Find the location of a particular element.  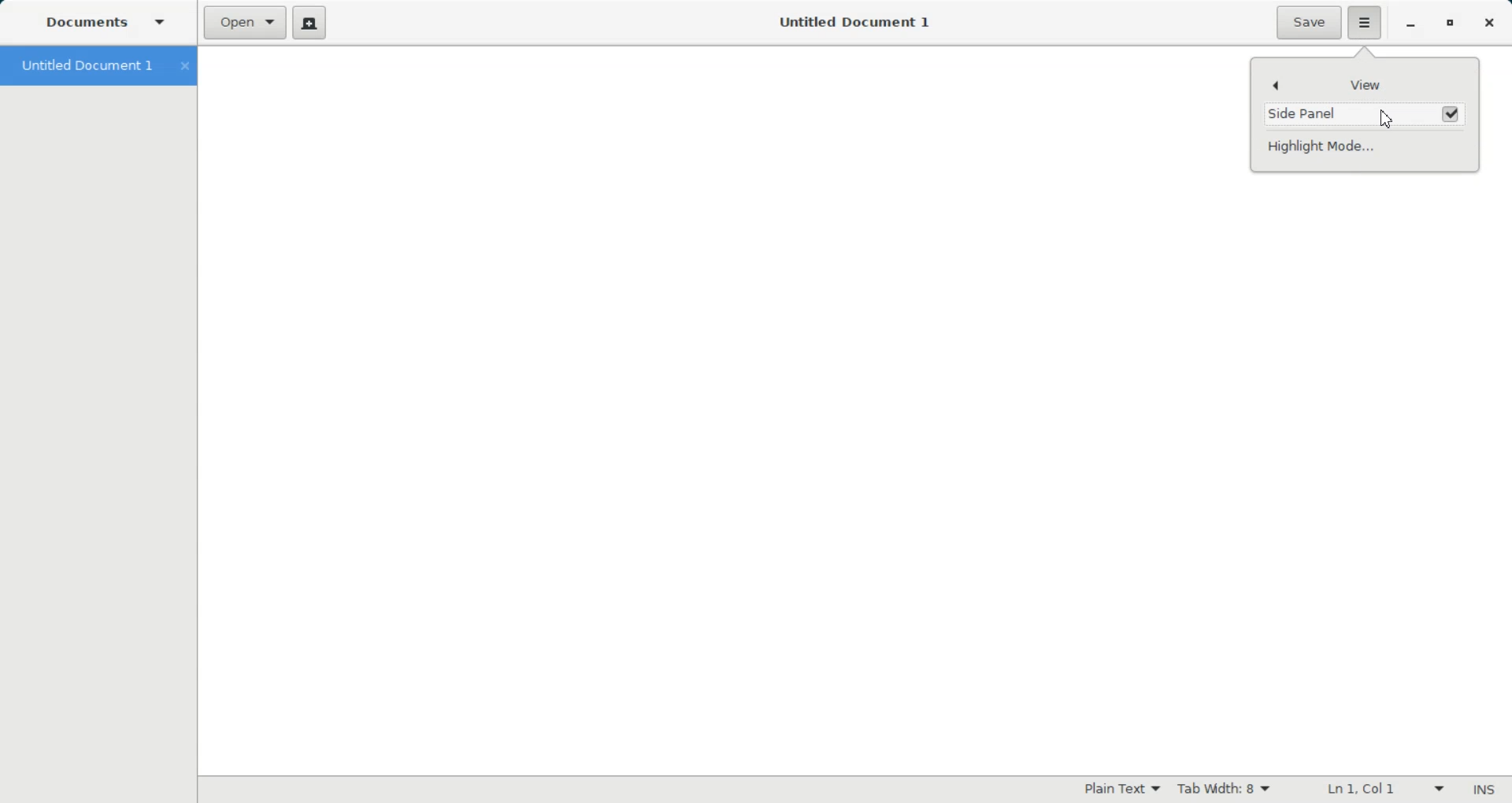

Back is located at coordinates (1278, 85).